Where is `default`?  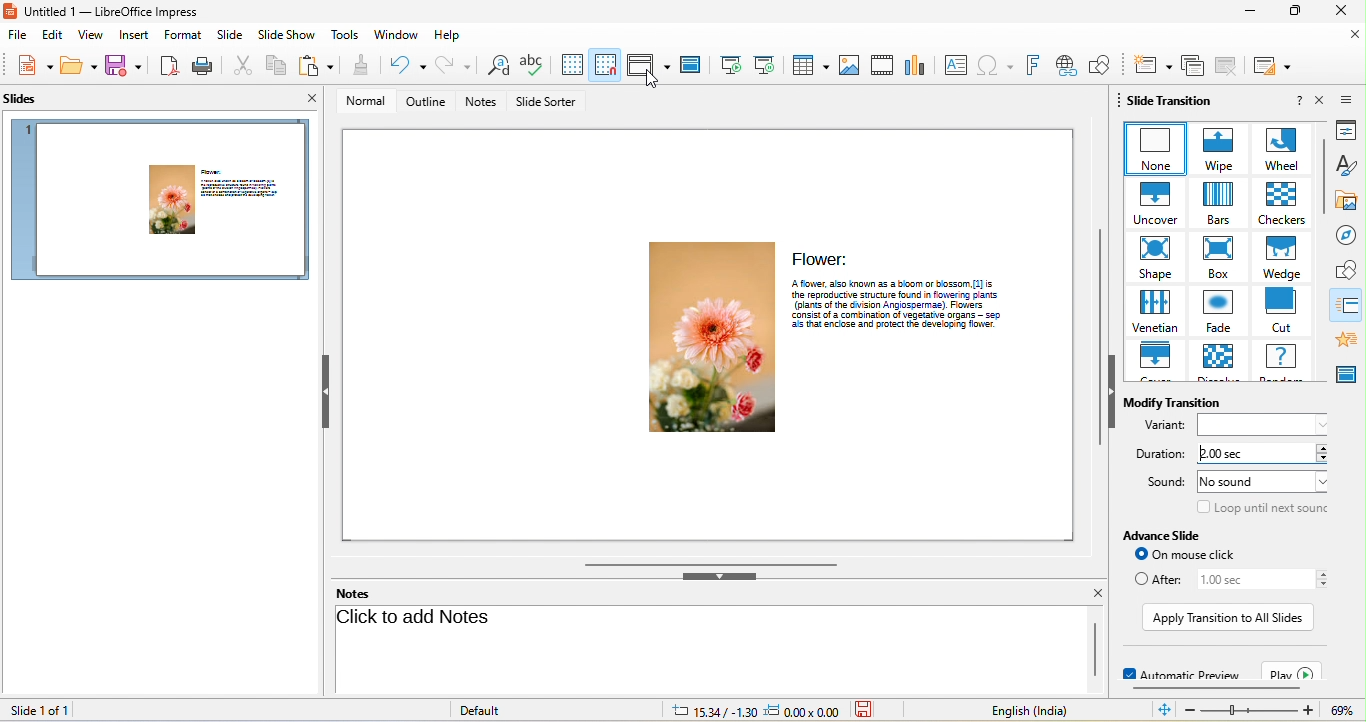
default is located at coordinates (509, 711).